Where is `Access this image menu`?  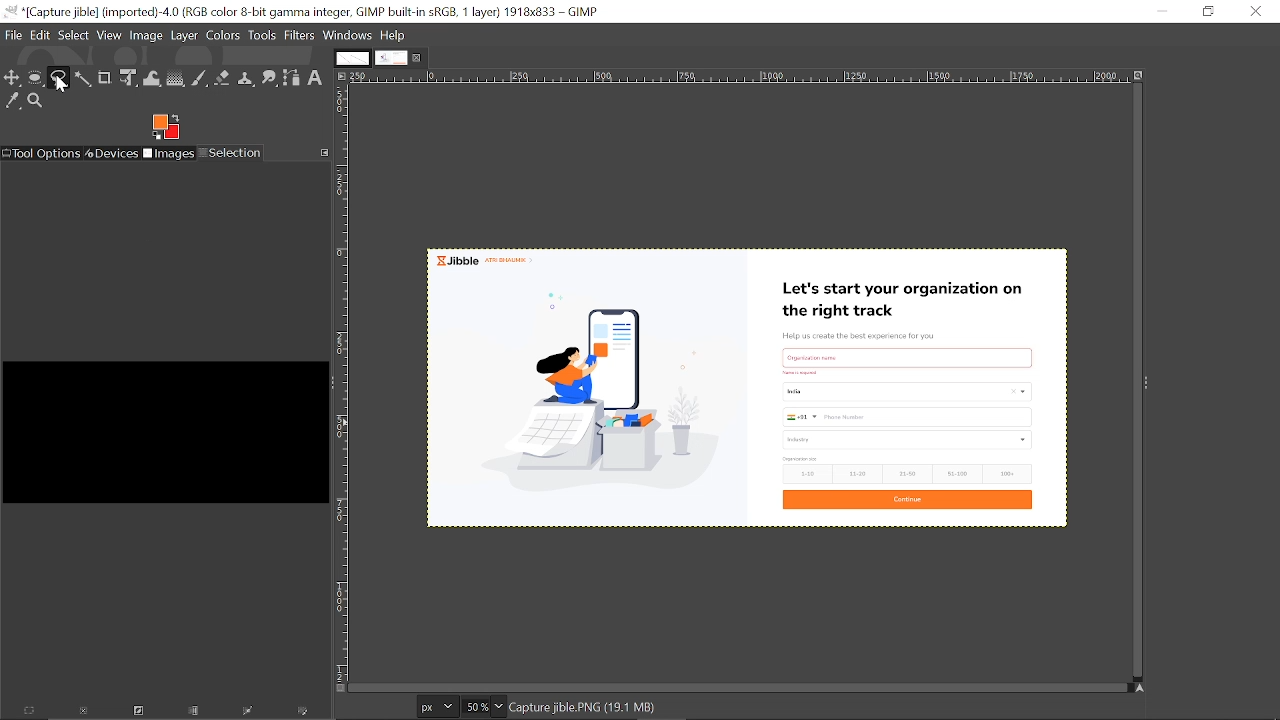 Access this image menu is located at coordinates (342, 77).